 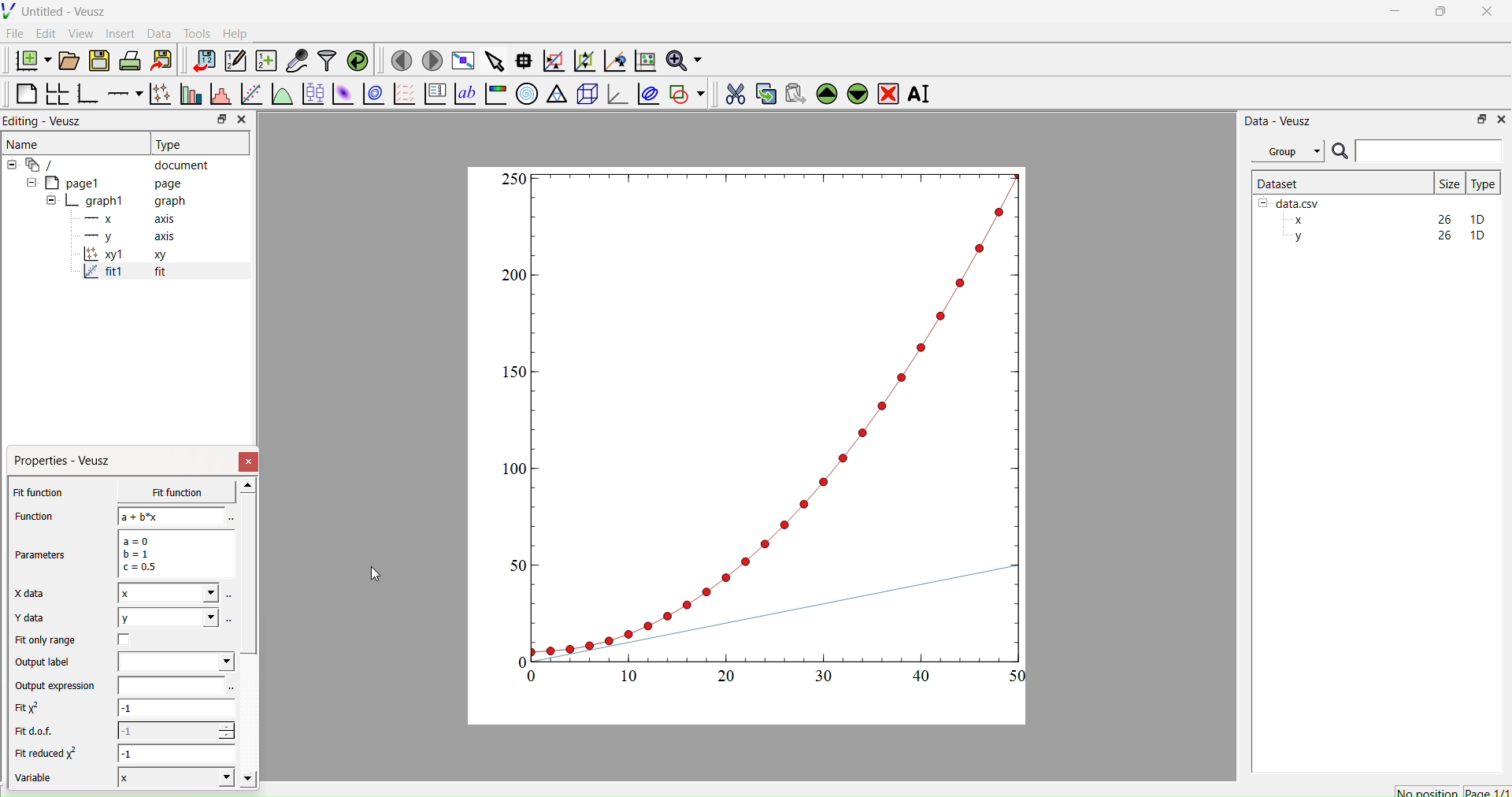 What do you see at coordinates (685, 91) in the screenshot?
I see `Add Shape` at bounding box center [685, 91].